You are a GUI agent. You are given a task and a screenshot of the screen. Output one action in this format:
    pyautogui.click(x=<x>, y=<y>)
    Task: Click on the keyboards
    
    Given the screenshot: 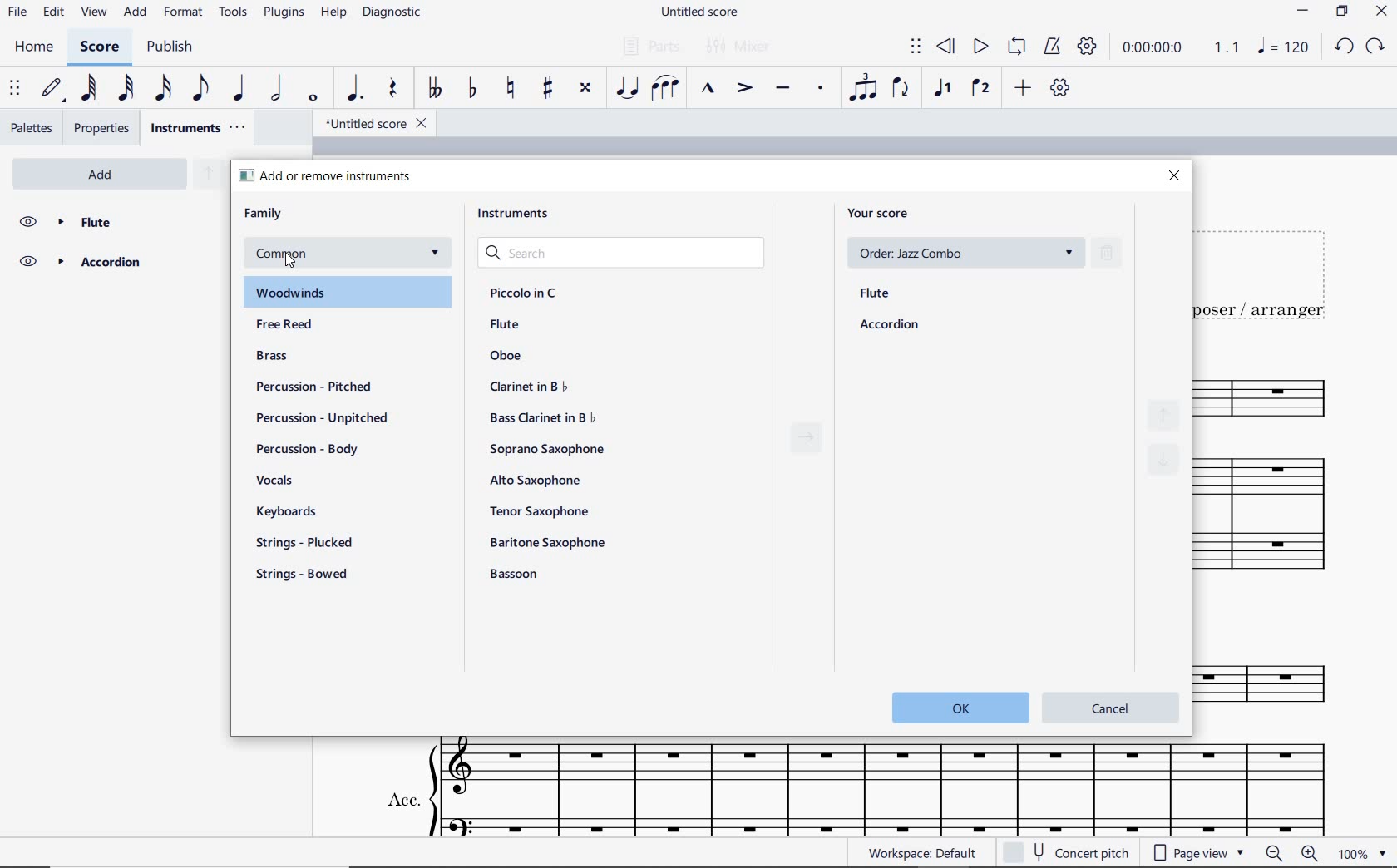 What is the action you would take?
    pyautogui.click(x=285, y=512)
    